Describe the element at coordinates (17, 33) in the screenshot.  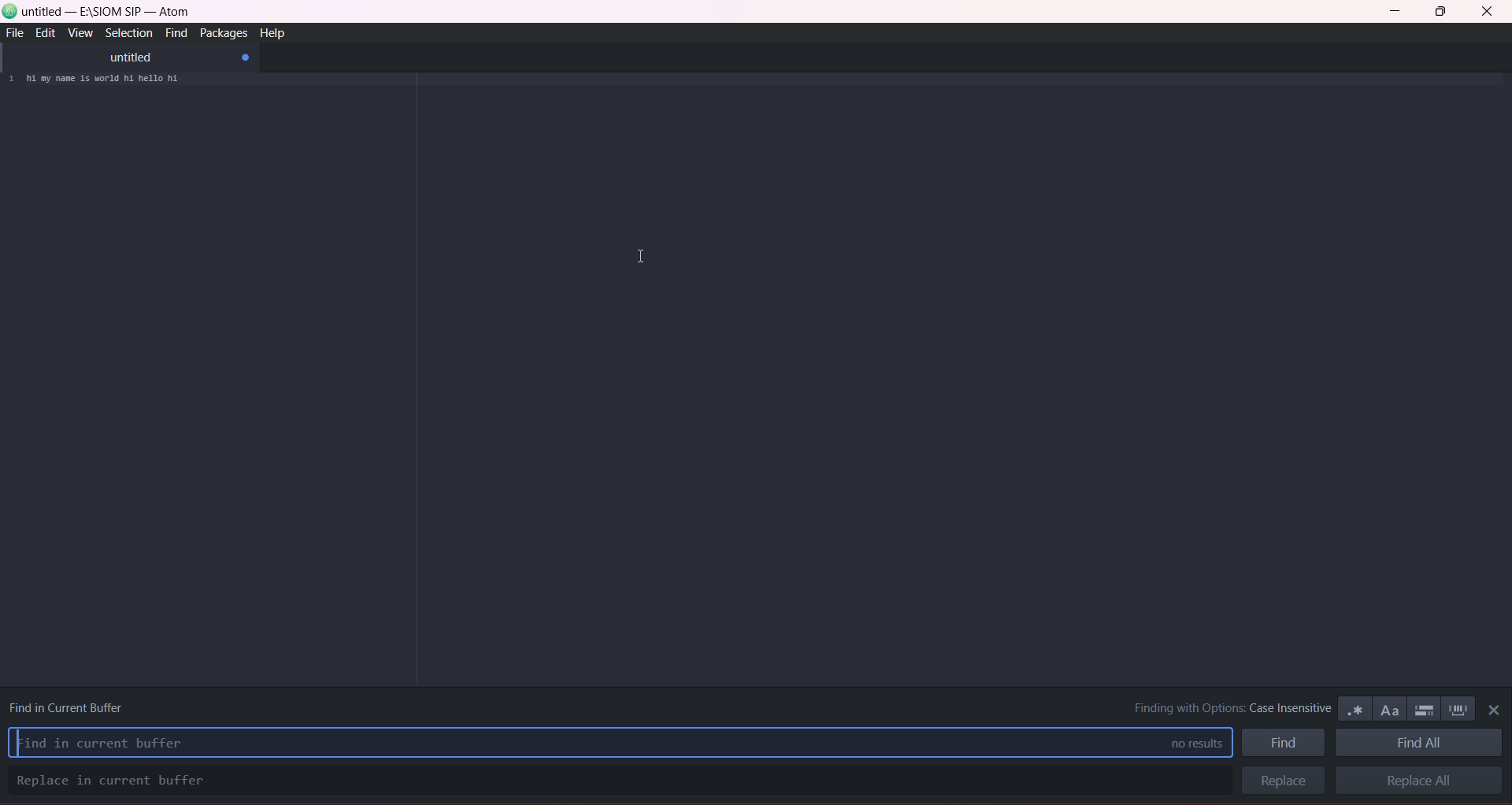
I see `file` at that location.